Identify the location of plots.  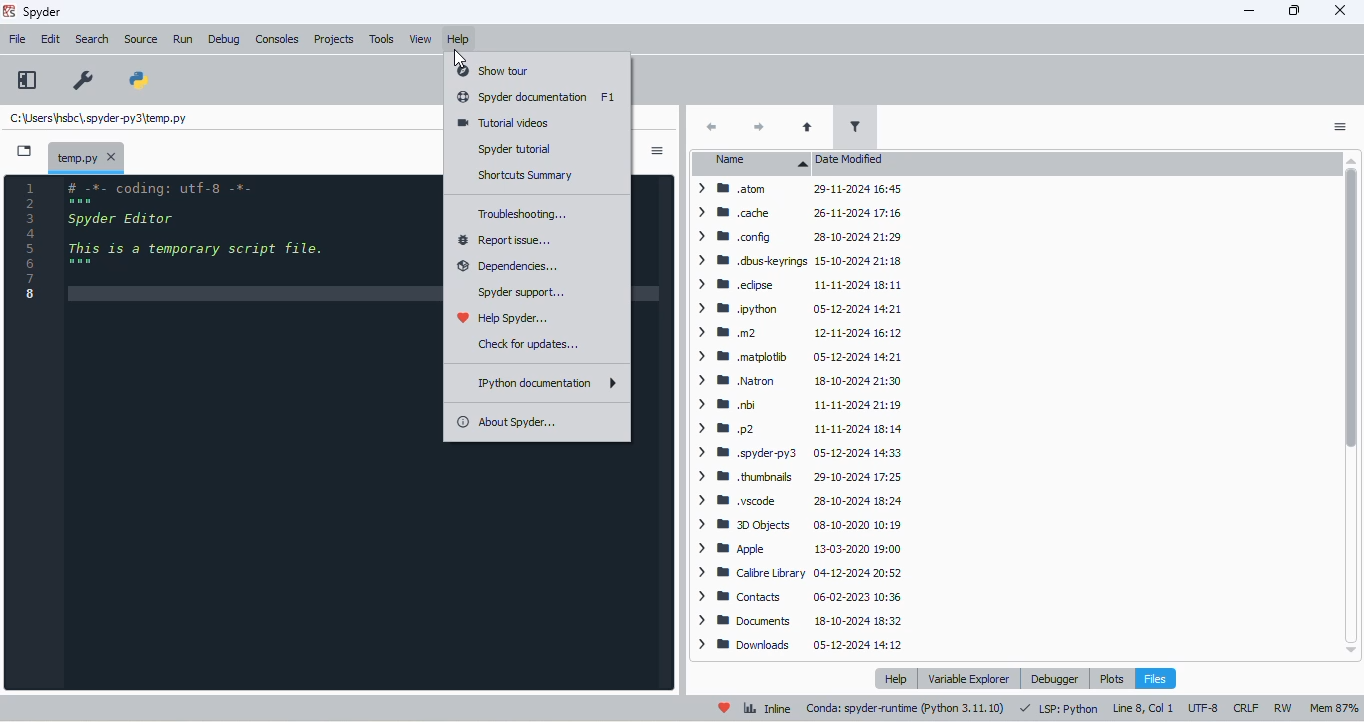
(1112, 679).